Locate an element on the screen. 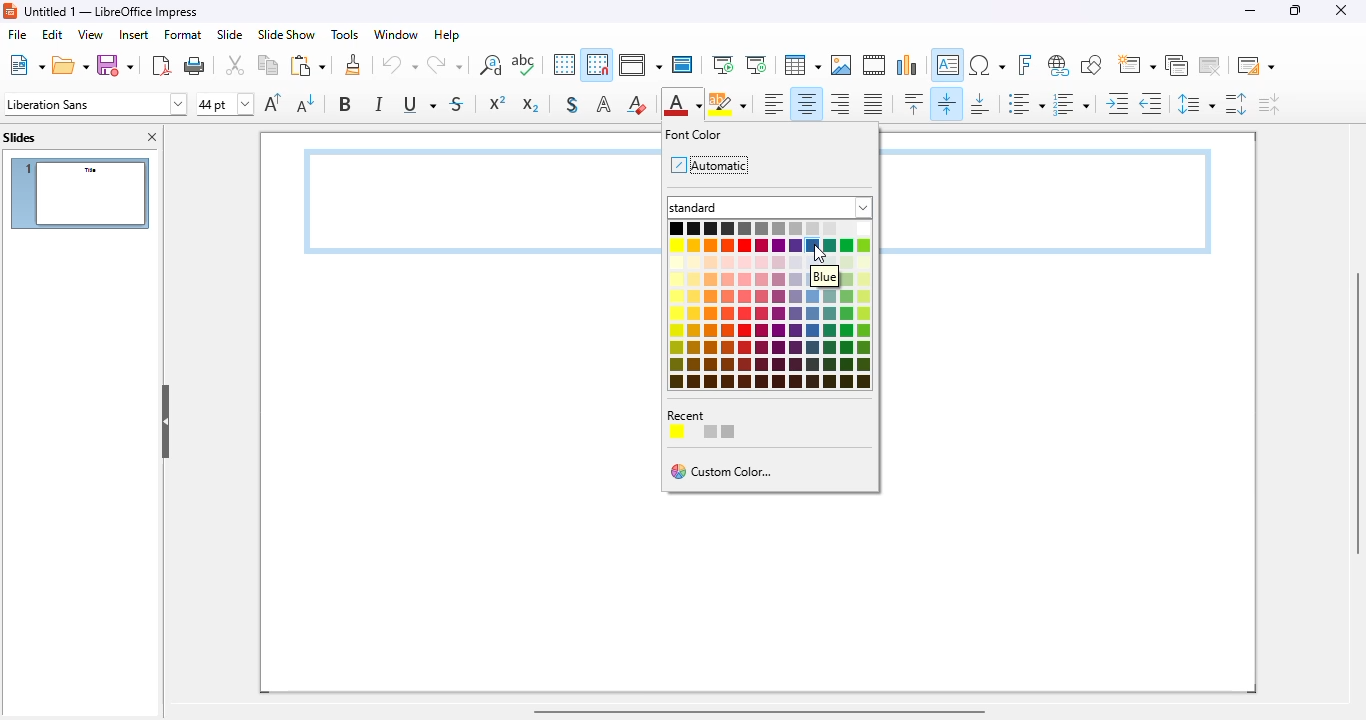 The image size is (1366, 720). new is located at coordinates (27, 65).